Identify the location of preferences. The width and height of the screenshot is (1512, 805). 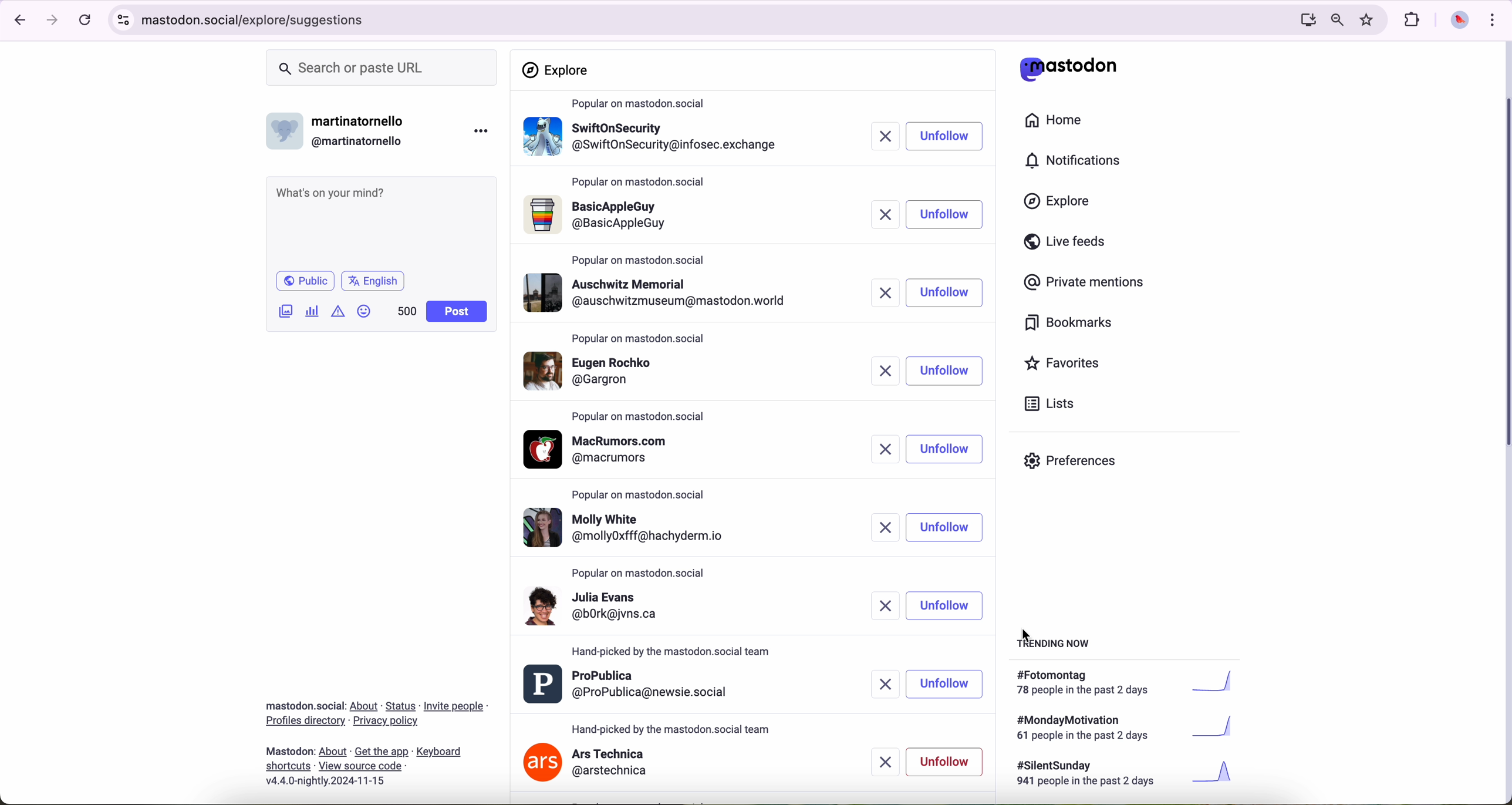
(1079, 465).